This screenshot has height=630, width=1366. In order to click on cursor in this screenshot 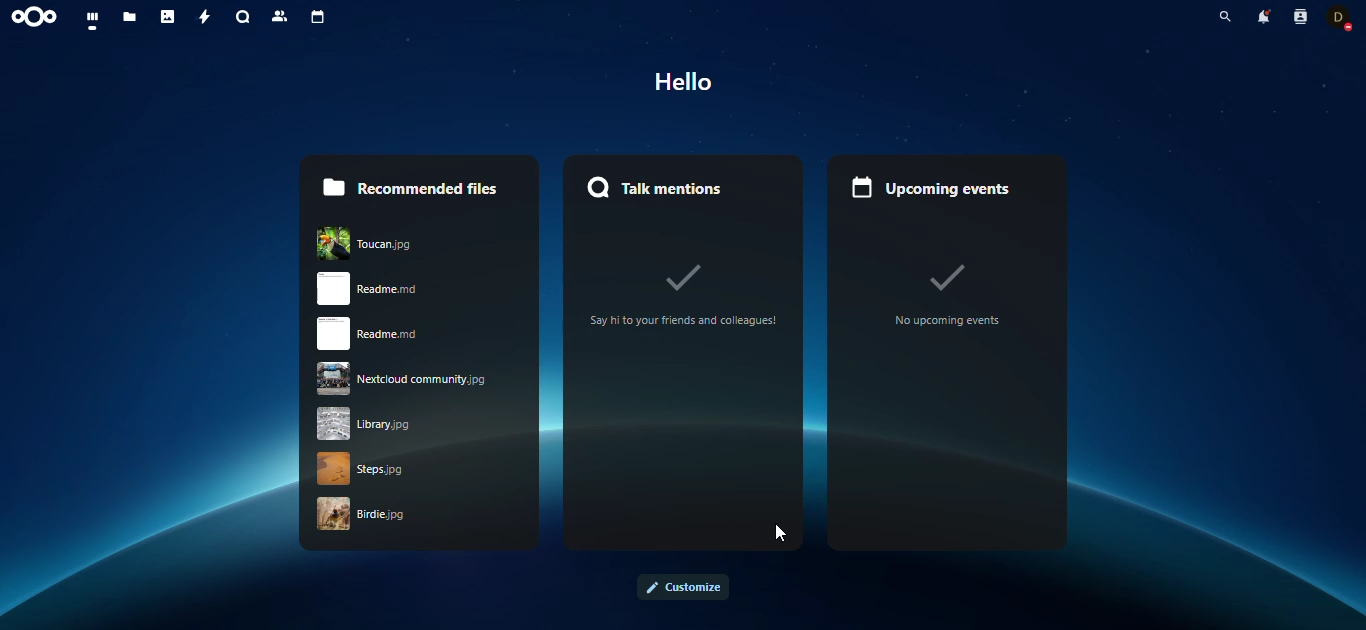, I will do `click(789, 531)`.